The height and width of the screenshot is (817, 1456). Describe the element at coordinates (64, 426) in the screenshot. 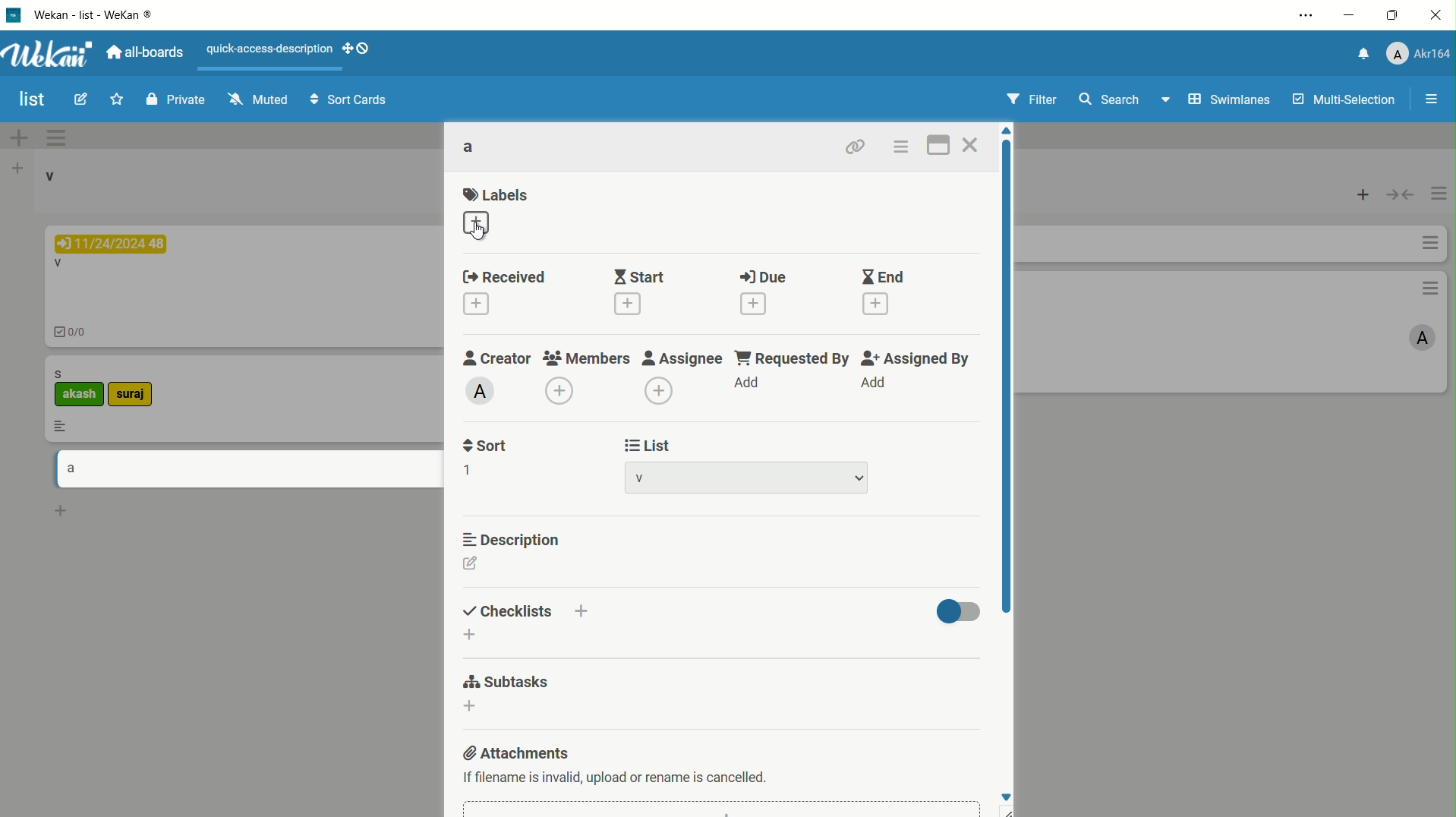

I see `more` at that location.